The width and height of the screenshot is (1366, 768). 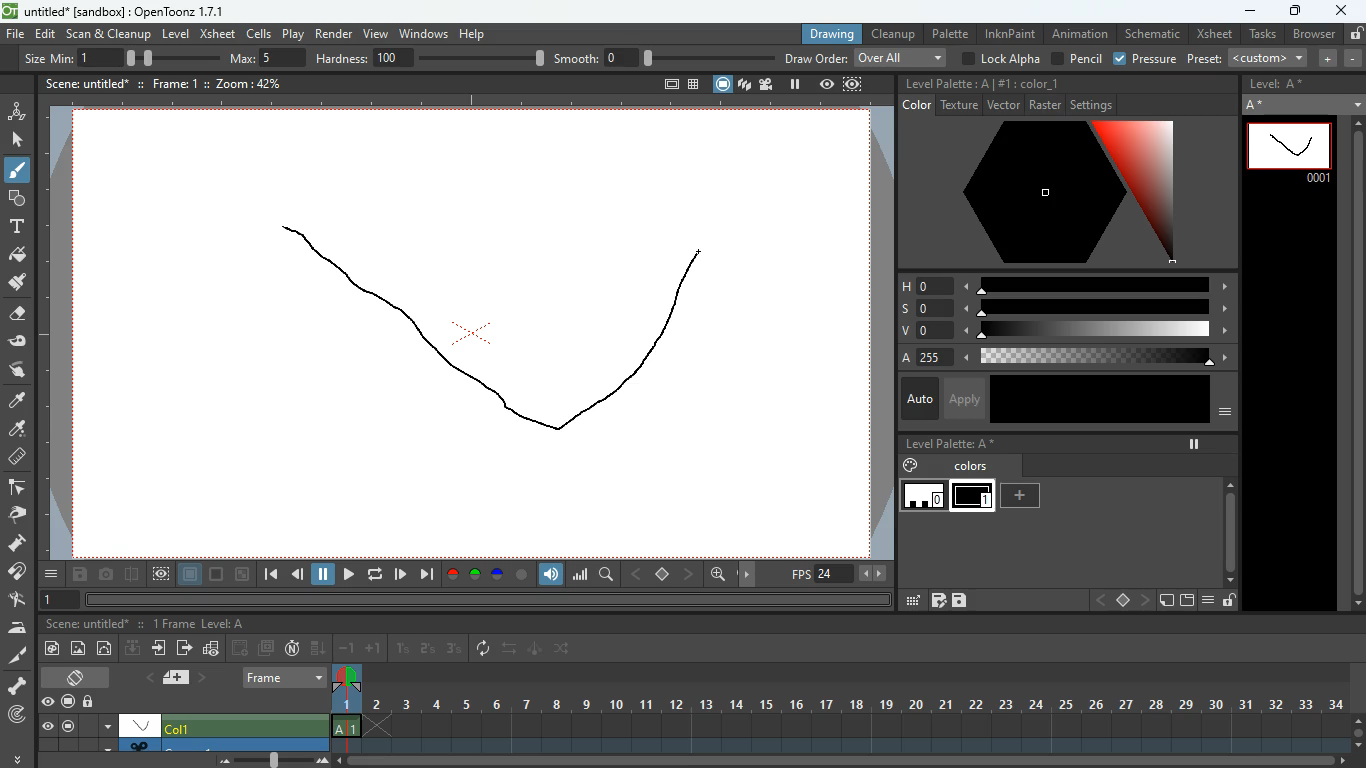 What do you see at coordinates (16, 458) in the screenshot?
I see `measure` at bounding box center [16, 458].